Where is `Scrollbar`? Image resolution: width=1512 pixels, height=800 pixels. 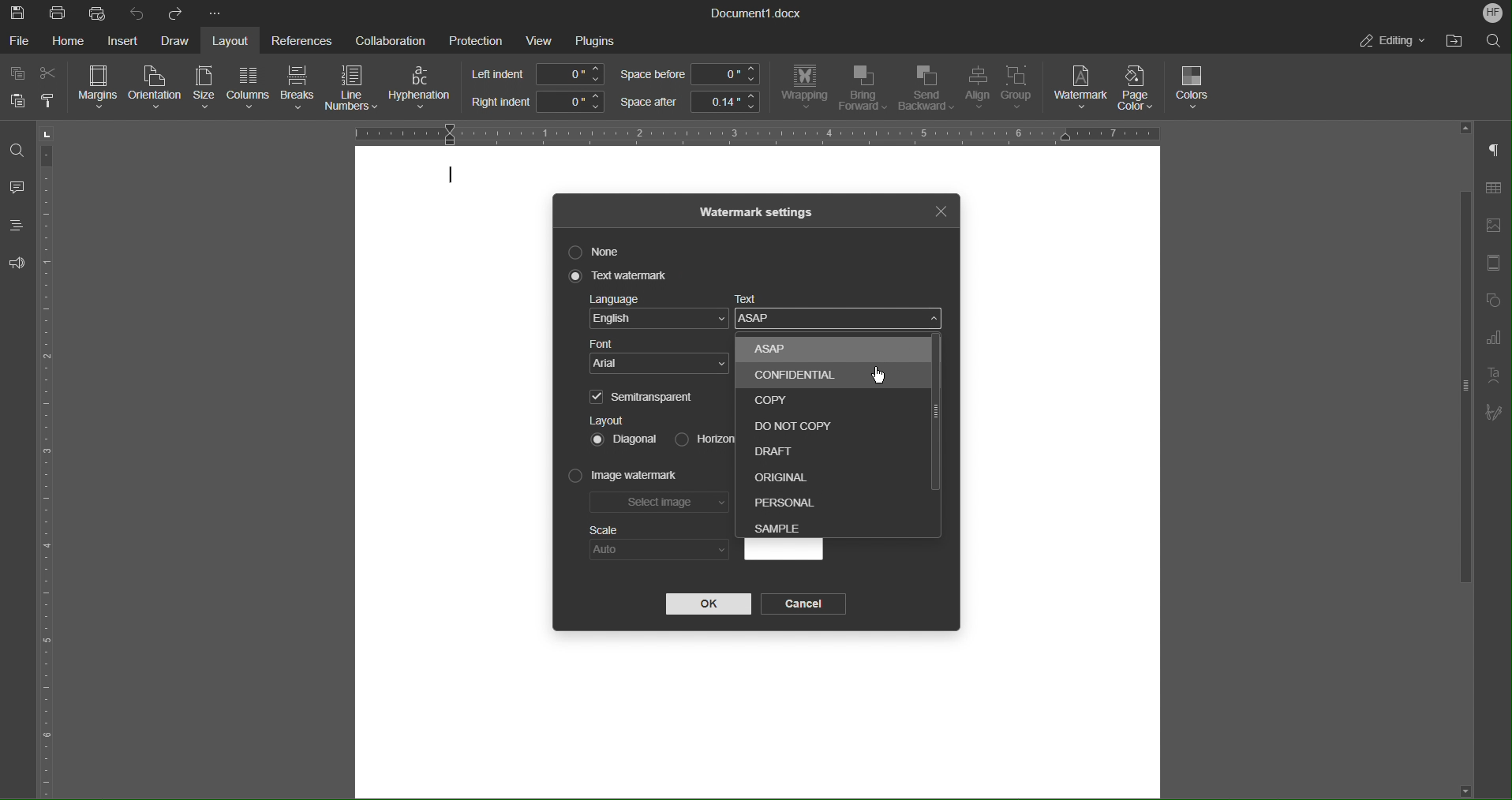
Scrollbar is located at coordinates (933, 412).